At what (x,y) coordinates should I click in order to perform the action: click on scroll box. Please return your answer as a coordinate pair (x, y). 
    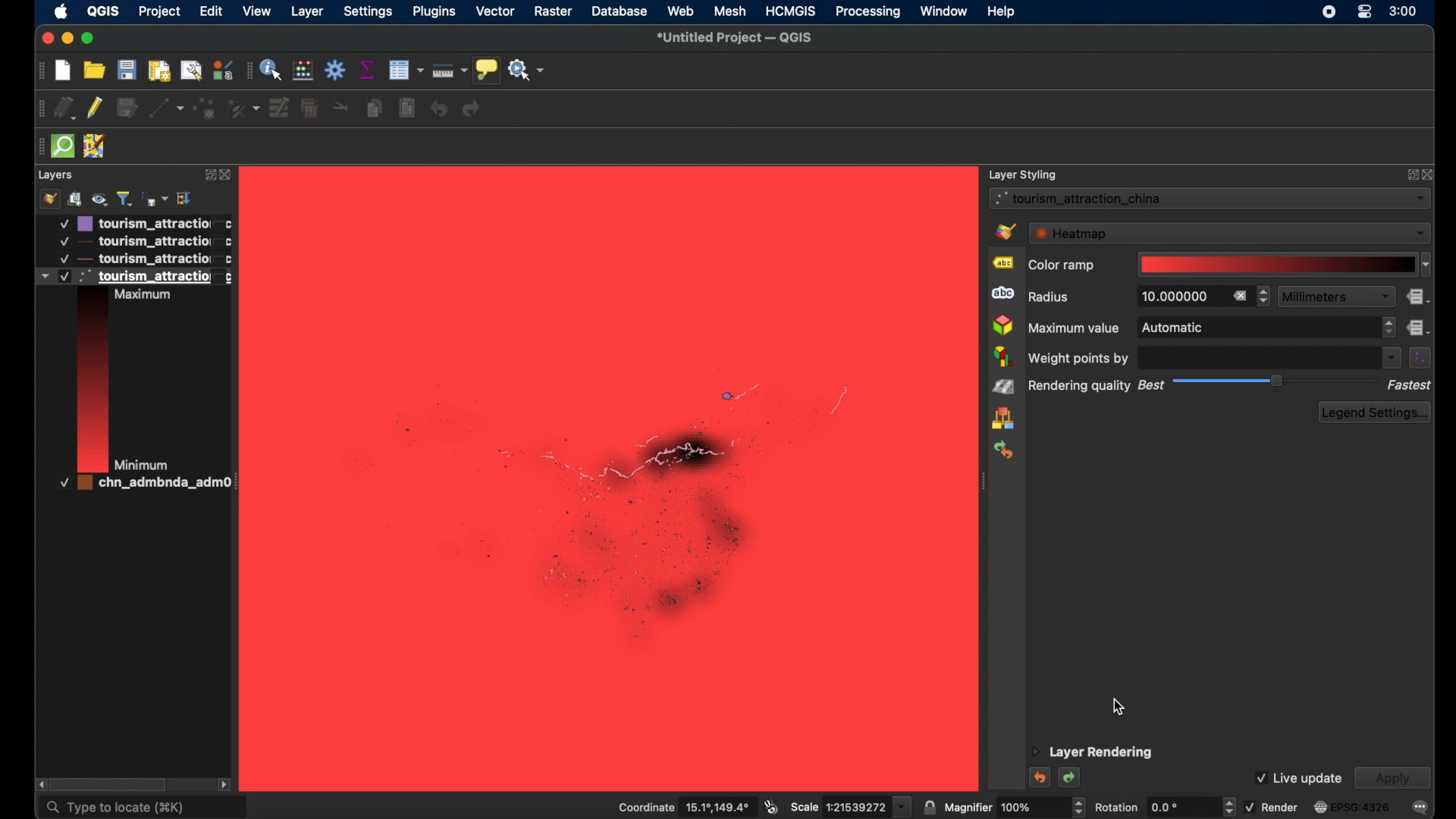
    Looking at the image, I should click on (114, 783).